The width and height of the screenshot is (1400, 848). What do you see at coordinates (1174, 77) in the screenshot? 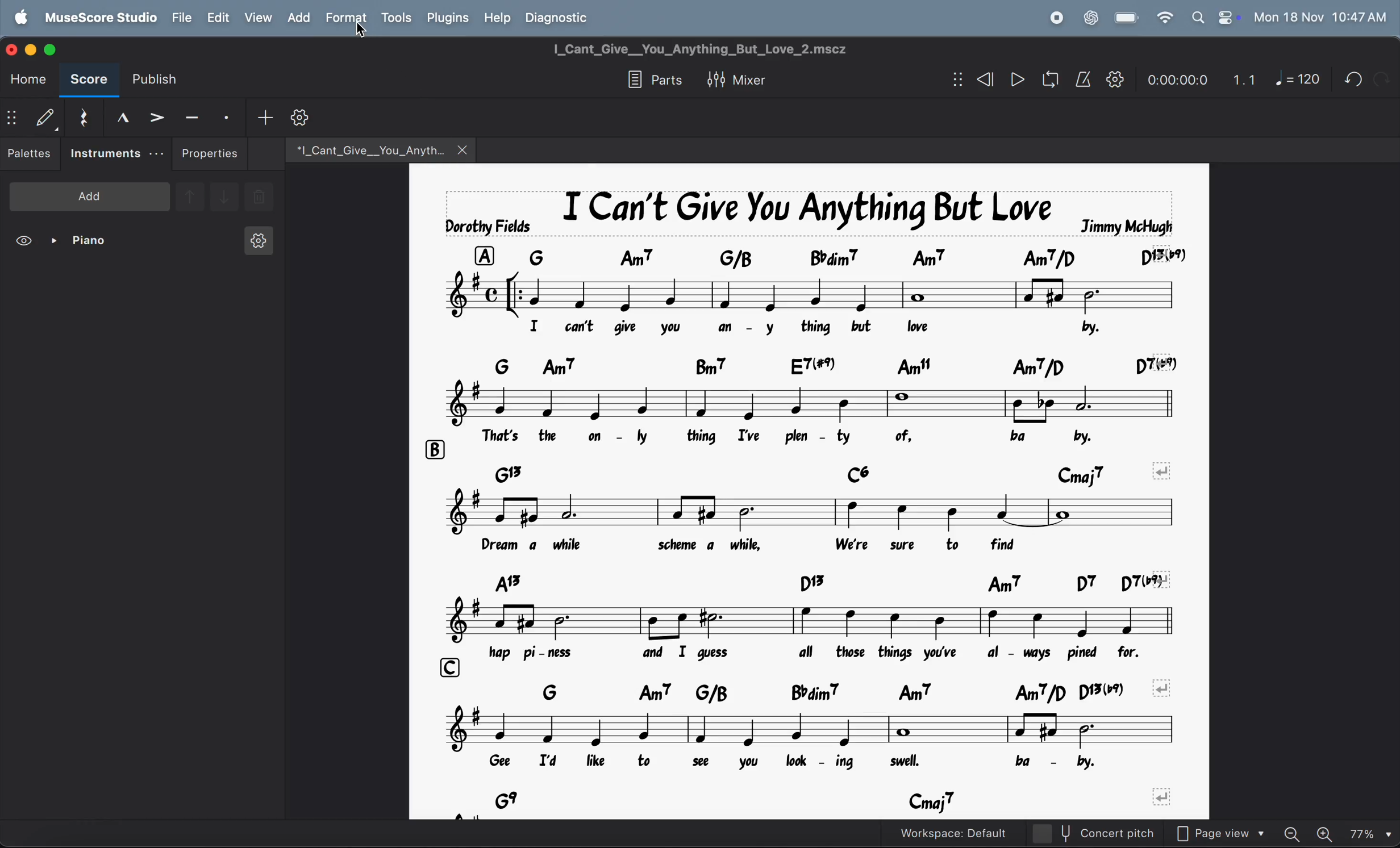
I see `time frame` at bounding box center [1174, 77].